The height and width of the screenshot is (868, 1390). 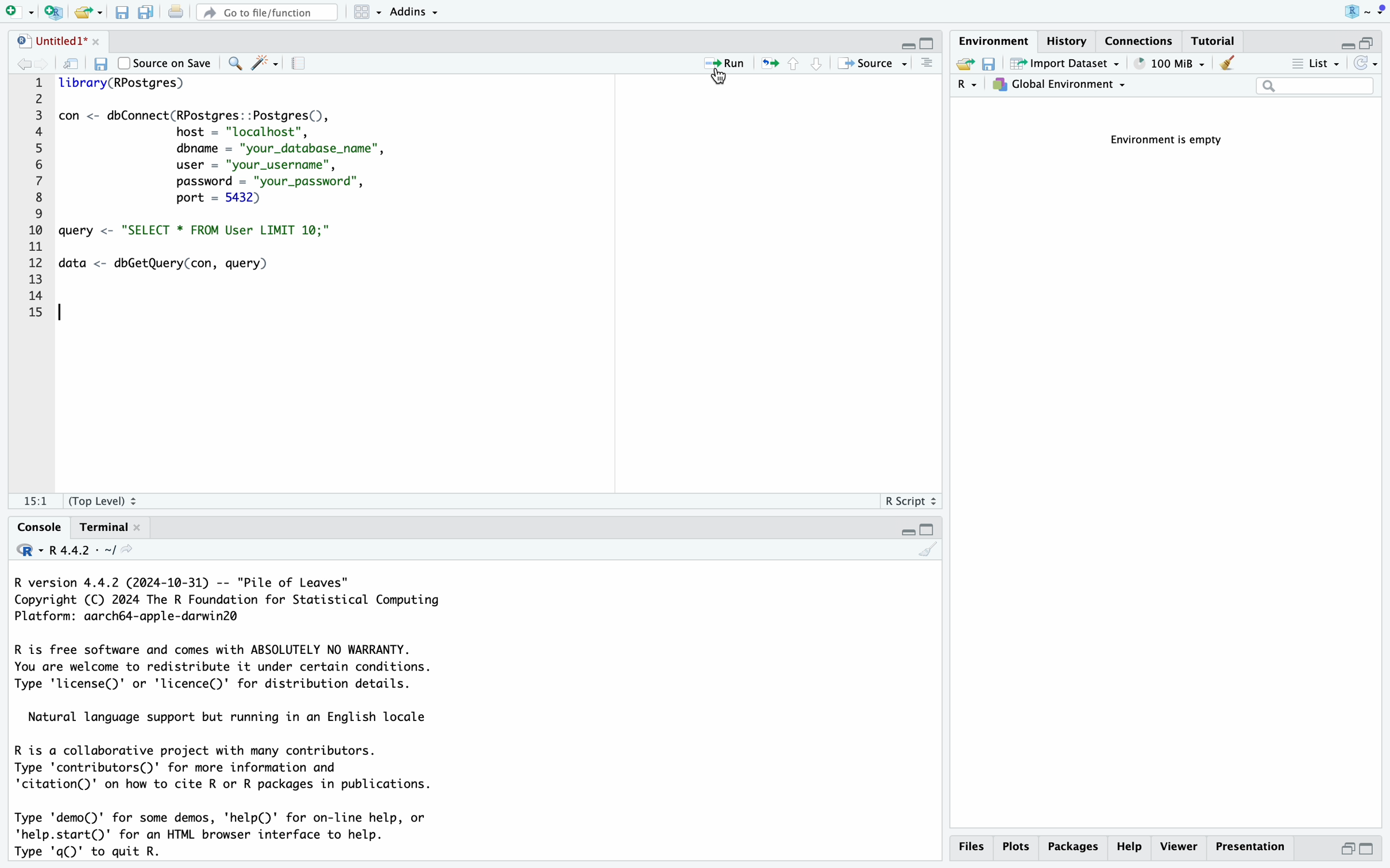 I want to click on terminal, so click(x=102, y=528).